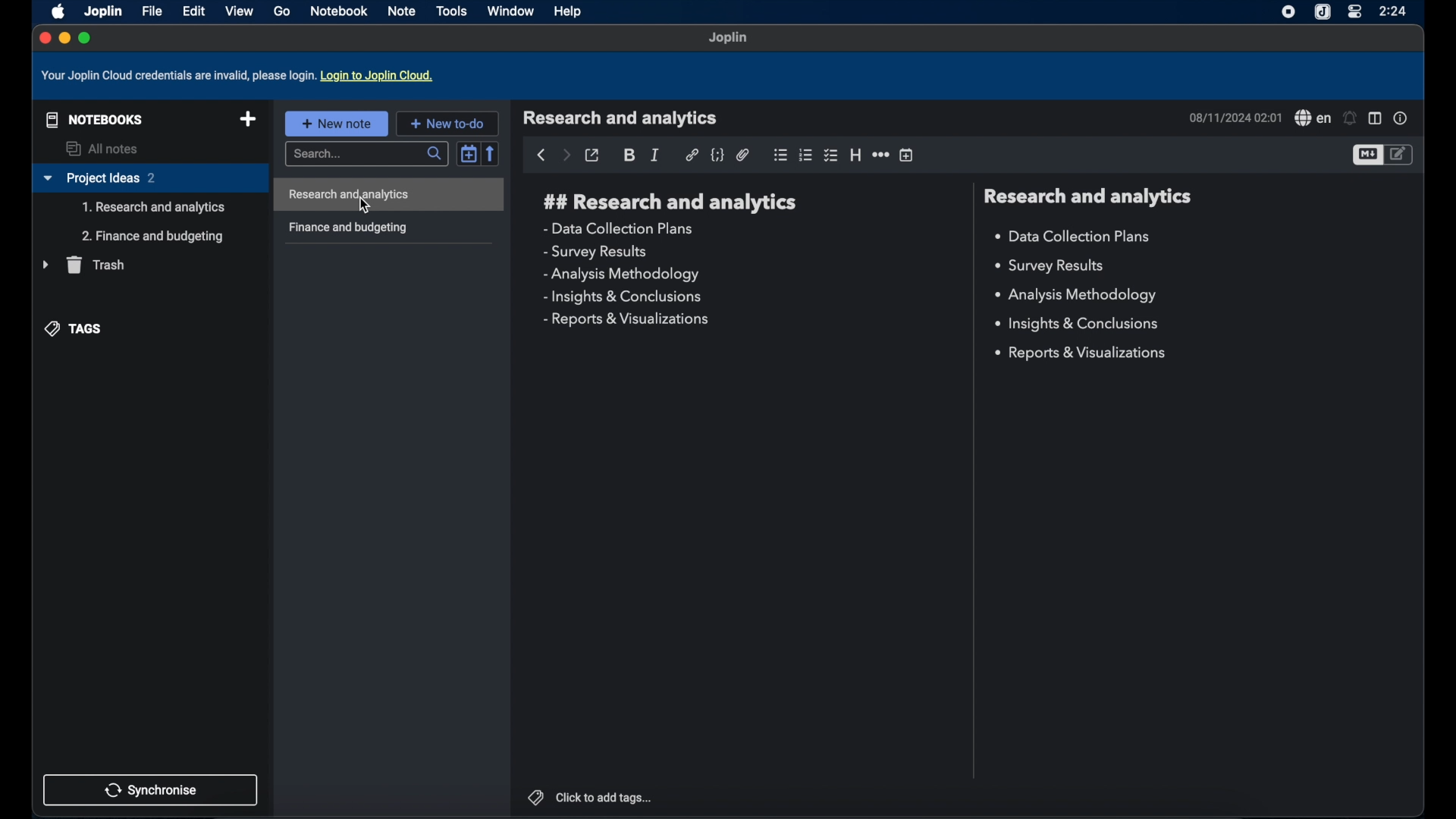  Describe the element at coordinates (492, 153) in the screenshot. I see `reverse sort order` at that location.